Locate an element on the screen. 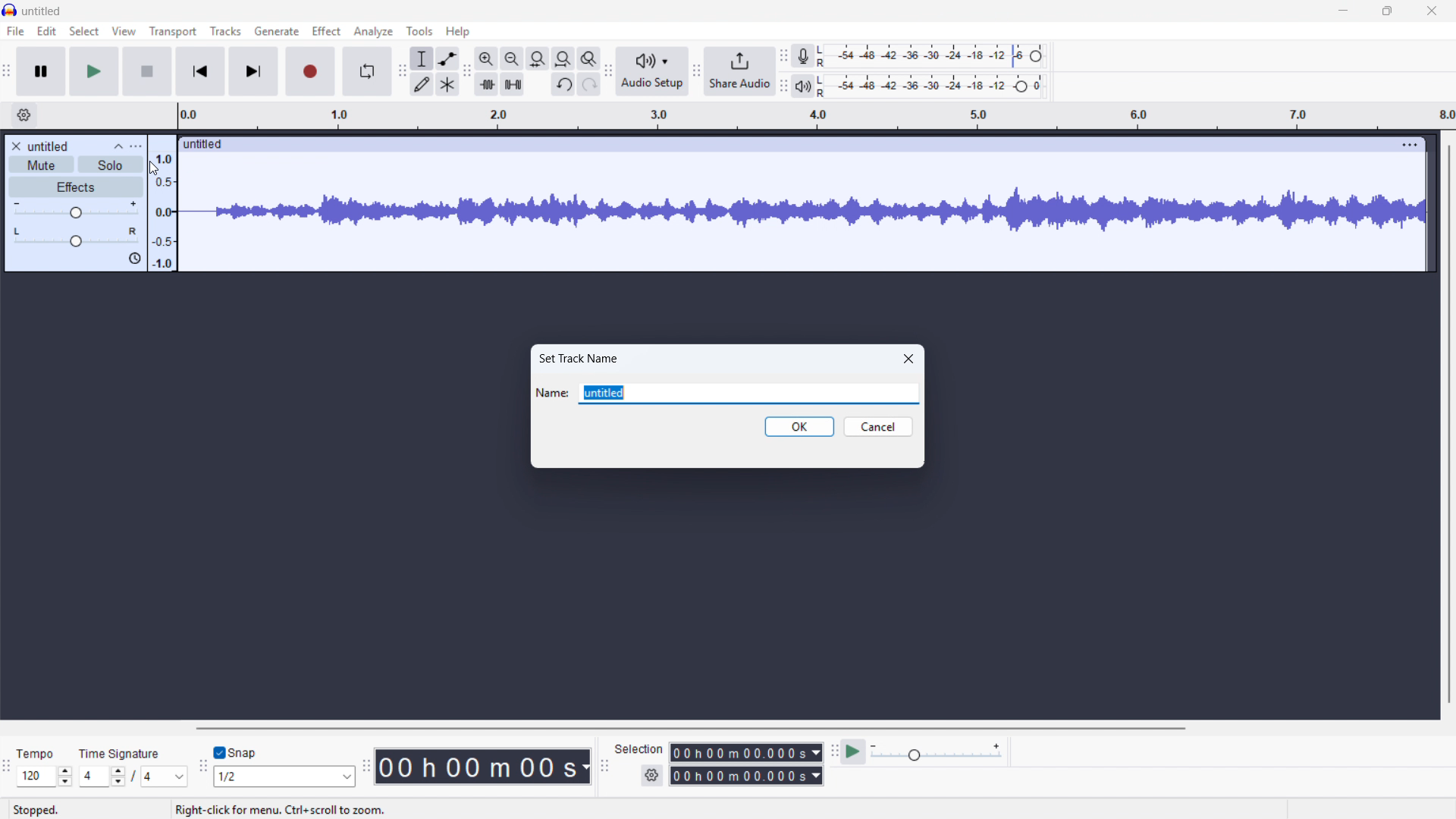 This screenshot has height=819, width=1456. Edit toolbar  is located at coordinates (467, 72).